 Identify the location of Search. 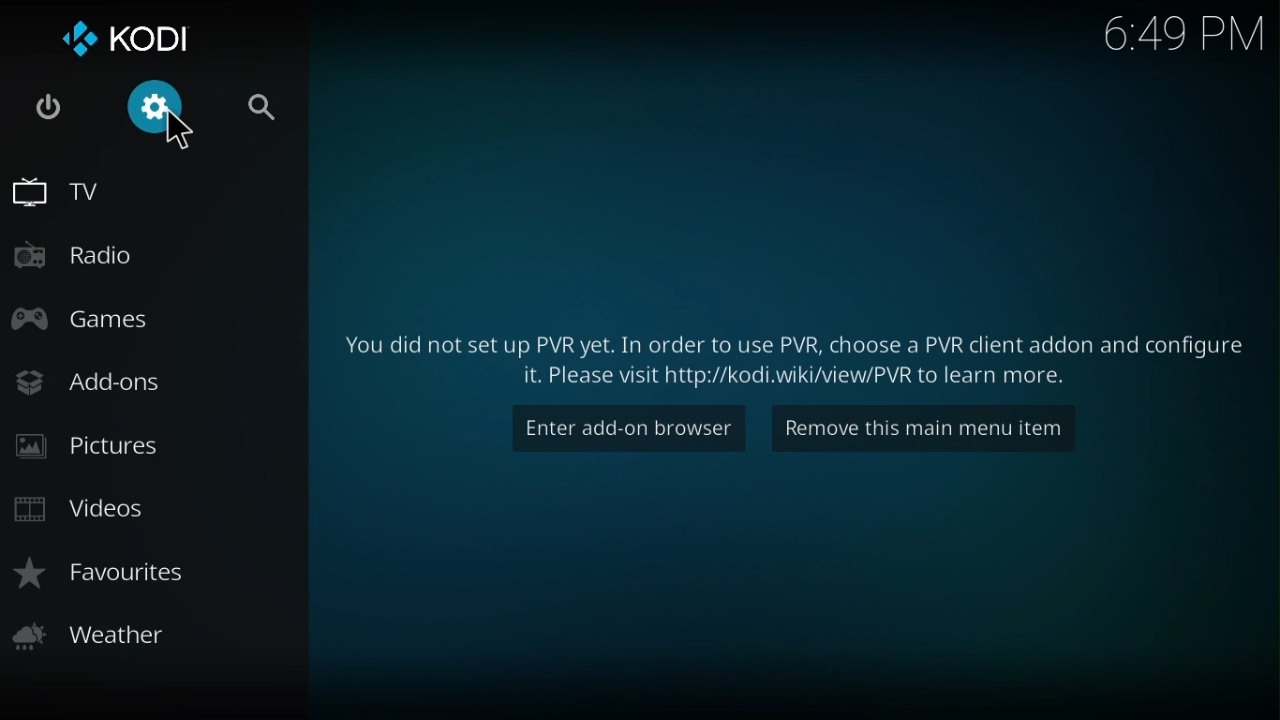
(259, 104).